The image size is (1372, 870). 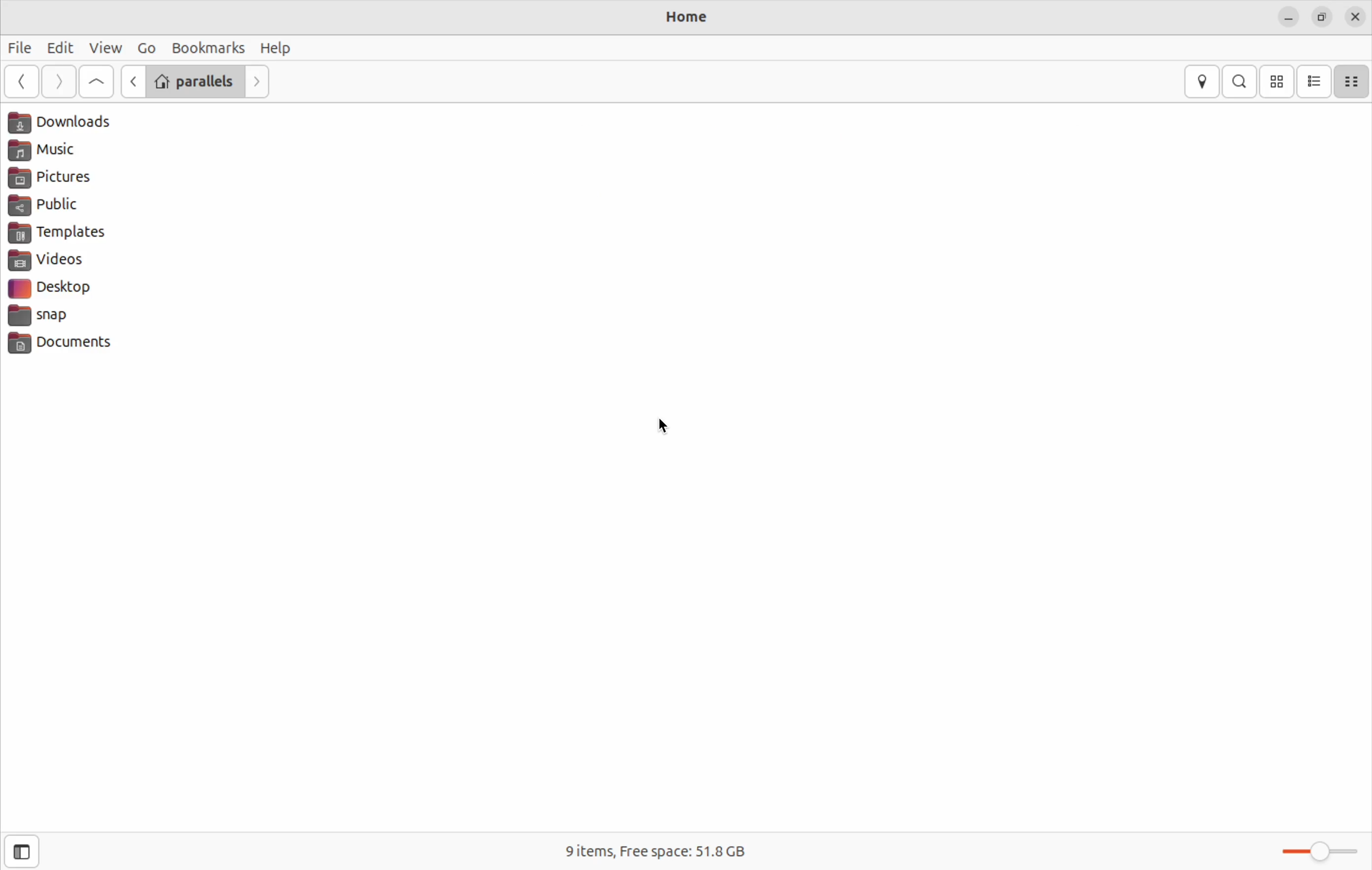 I want to click on public, so click(x=62, y=207).